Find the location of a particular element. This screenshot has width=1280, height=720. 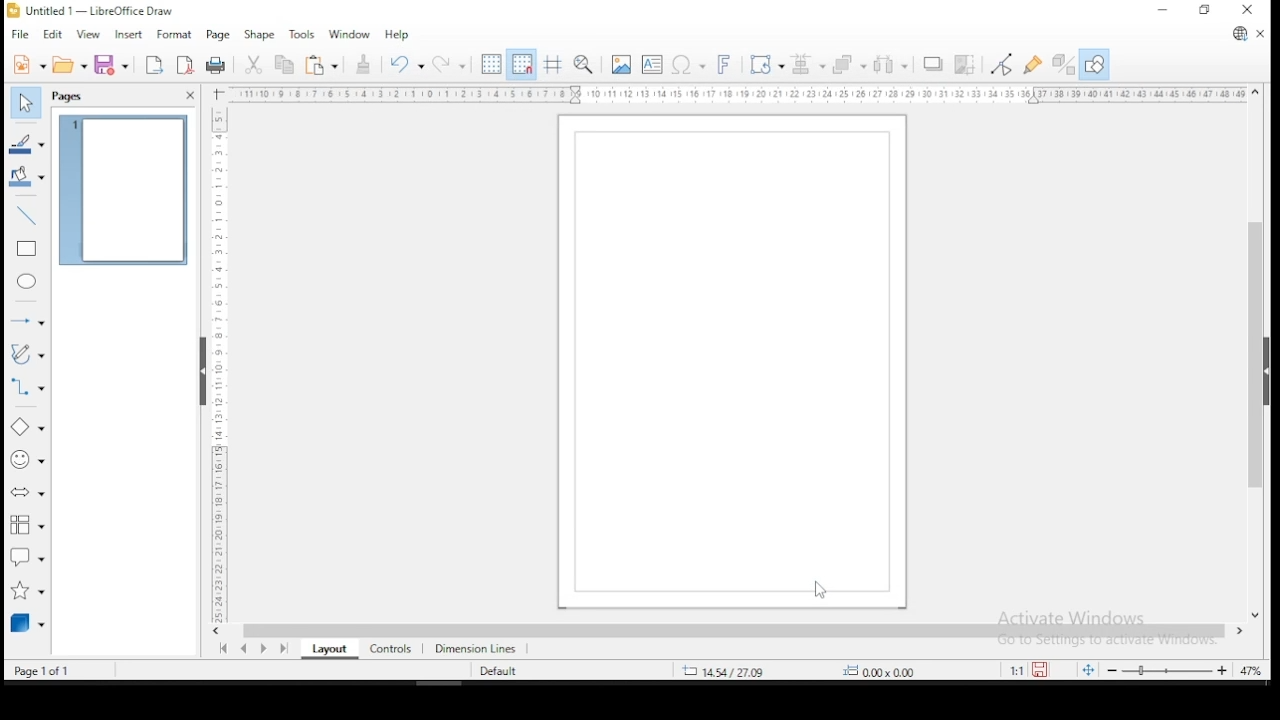

show helplines when moving is located at coordinates (555, 64).